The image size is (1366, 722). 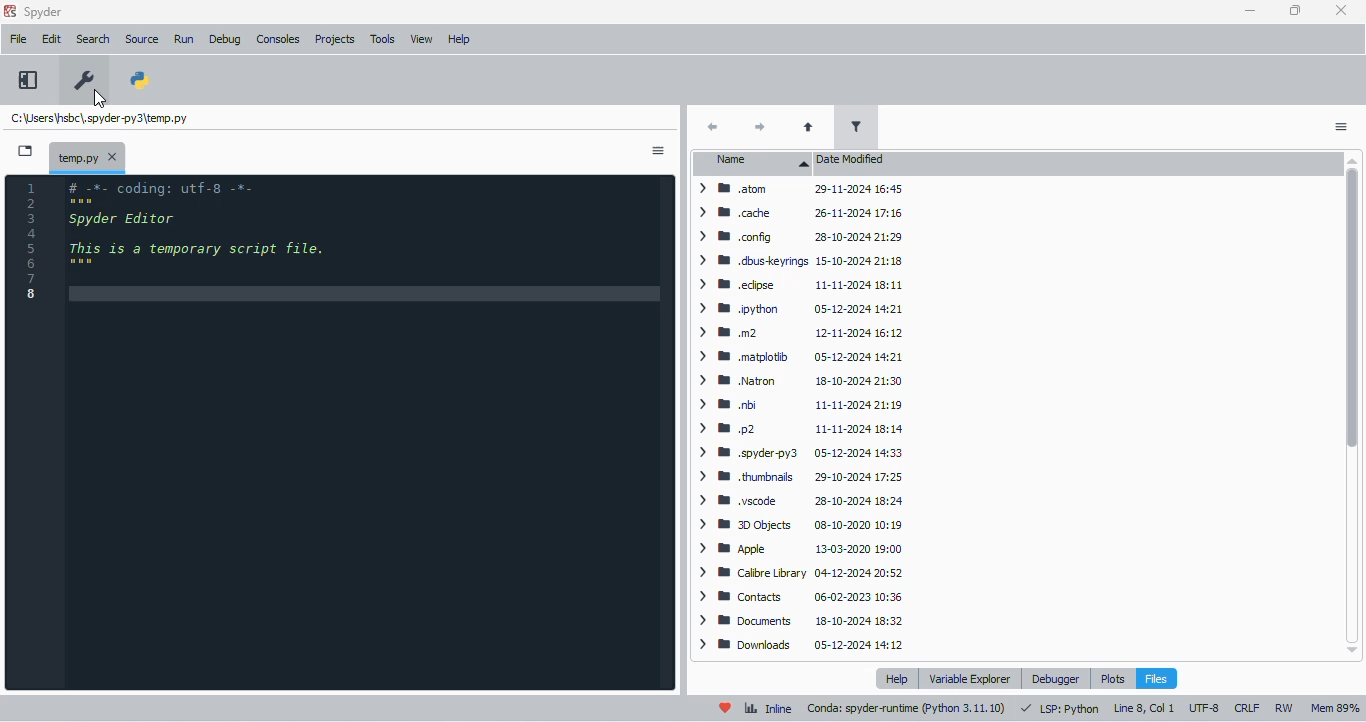 What do you see at coordinates (1286, 708) in the screenshot?
I see `RW` at bounding box center [1286, 708].